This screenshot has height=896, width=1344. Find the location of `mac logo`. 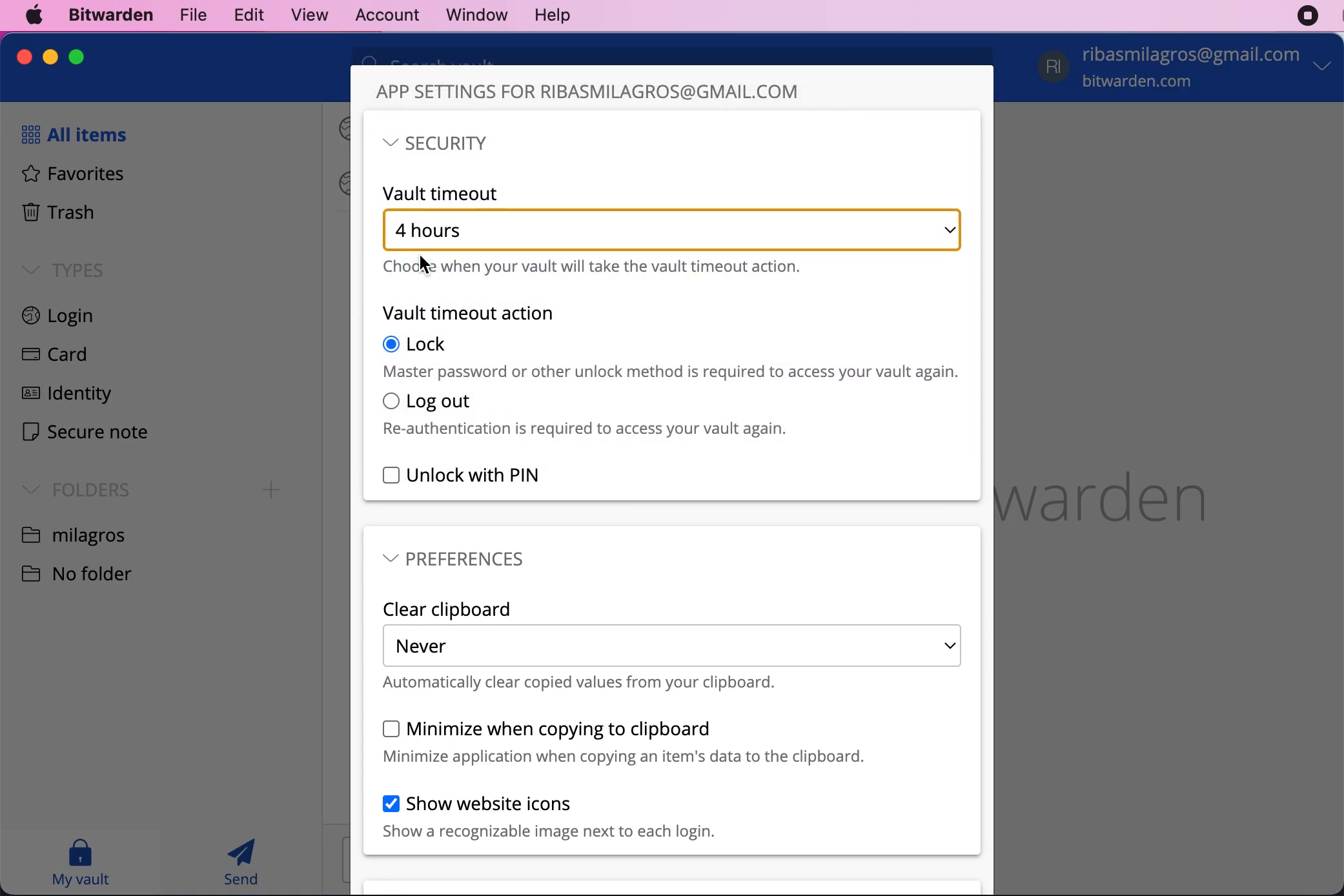

mac logo is located at coordinates (36, 15).